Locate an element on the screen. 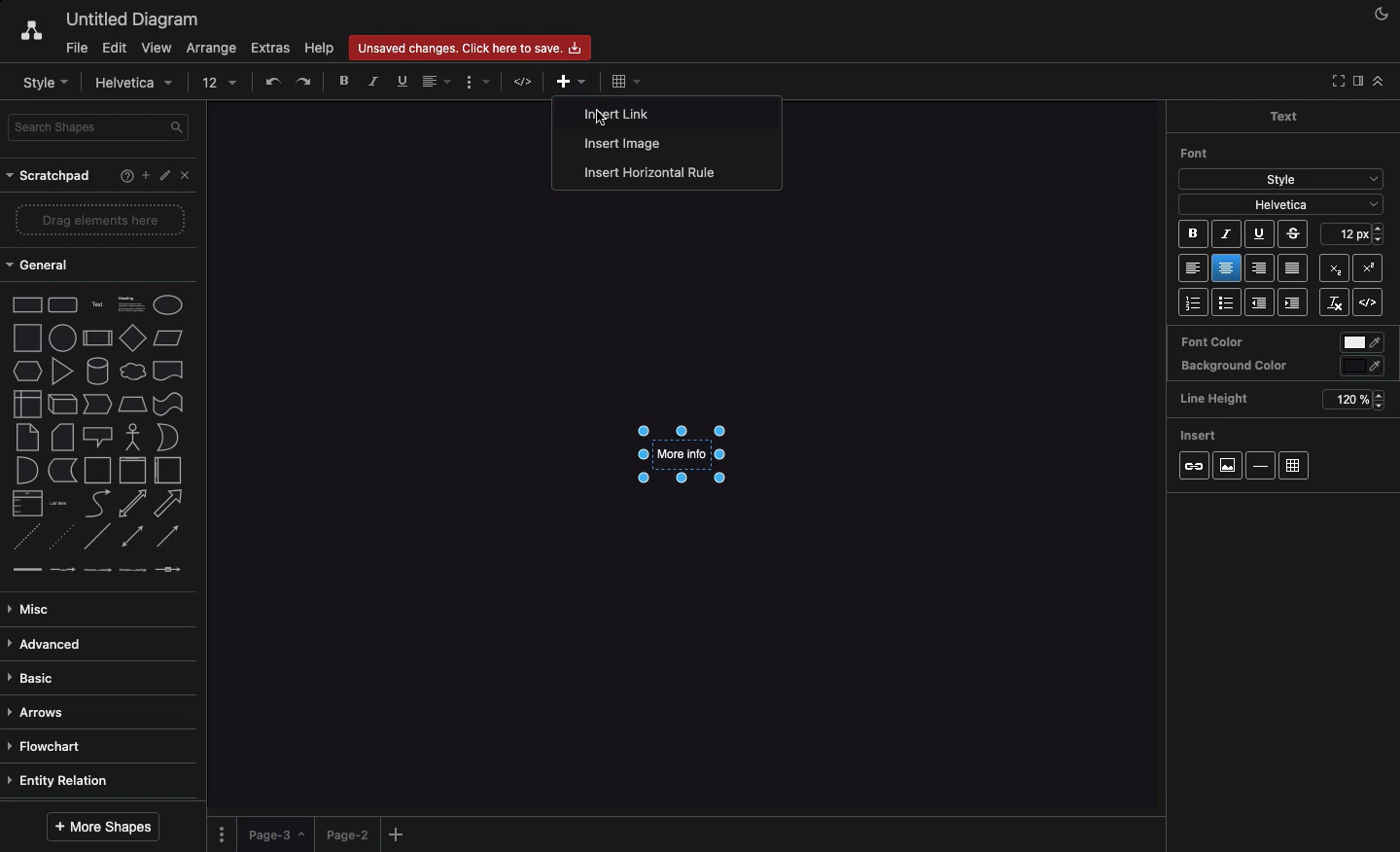 Image resolution: width=1400 pixels, height=852 pixels. Style is located at coordinates (45, 82).